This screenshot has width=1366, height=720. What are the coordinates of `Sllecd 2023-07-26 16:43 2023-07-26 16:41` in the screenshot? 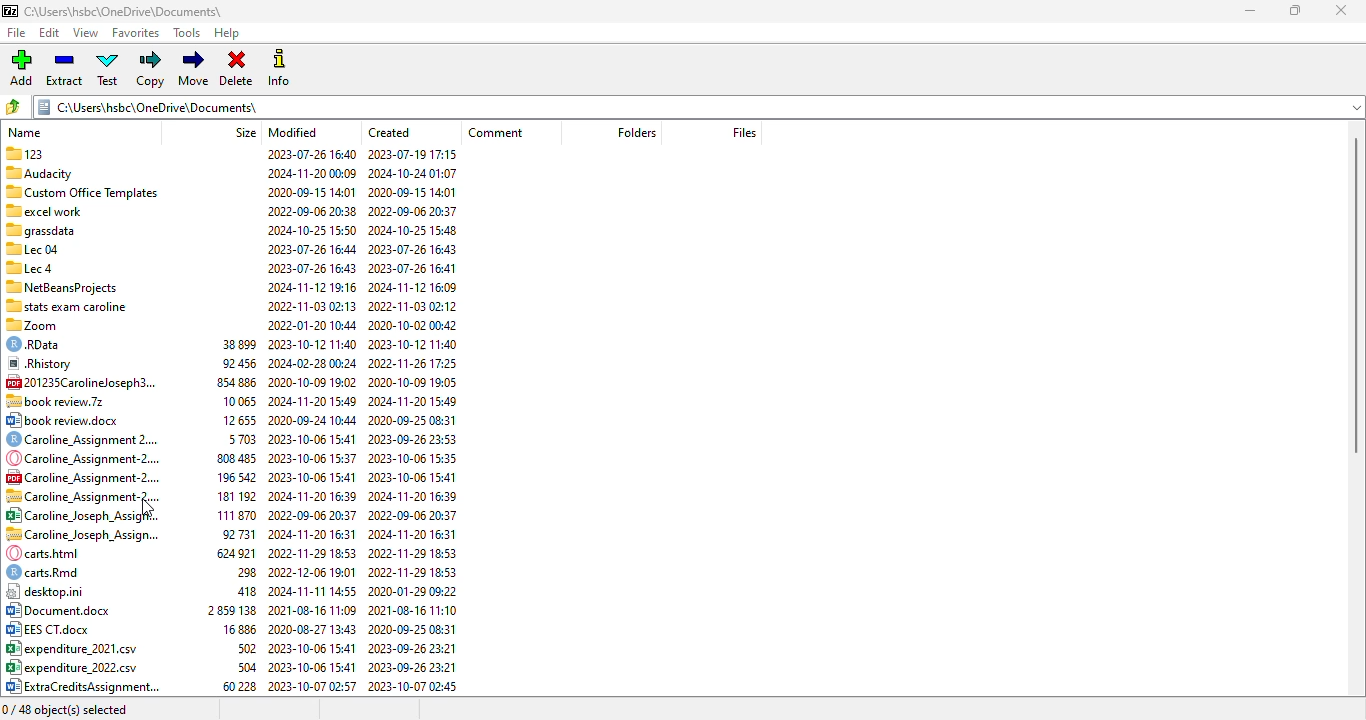 It's located at (230, 267).